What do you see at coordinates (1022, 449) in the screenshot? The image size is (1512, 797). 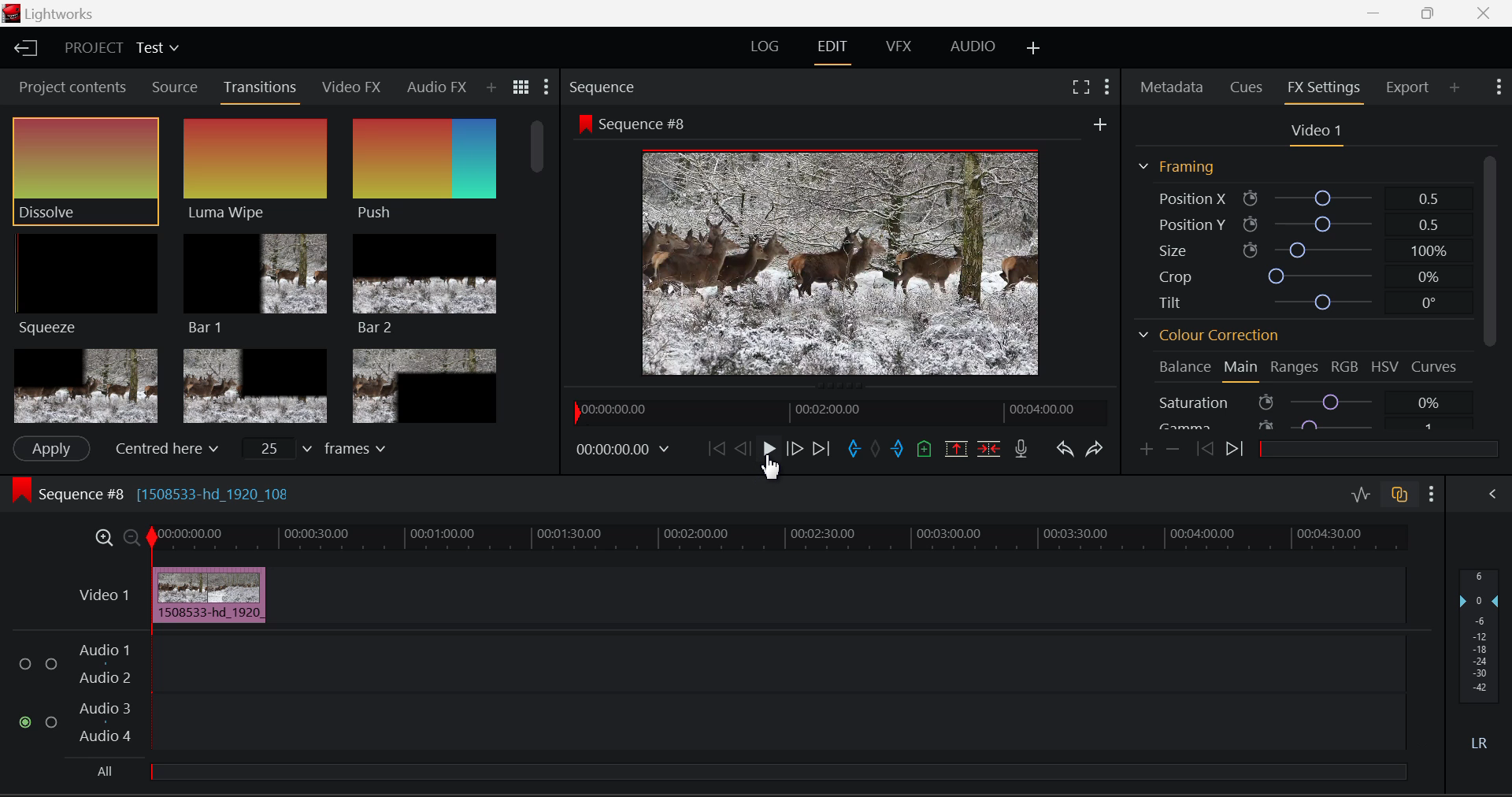 I see `Record Voiceover` at bounding box center [1022, 449].